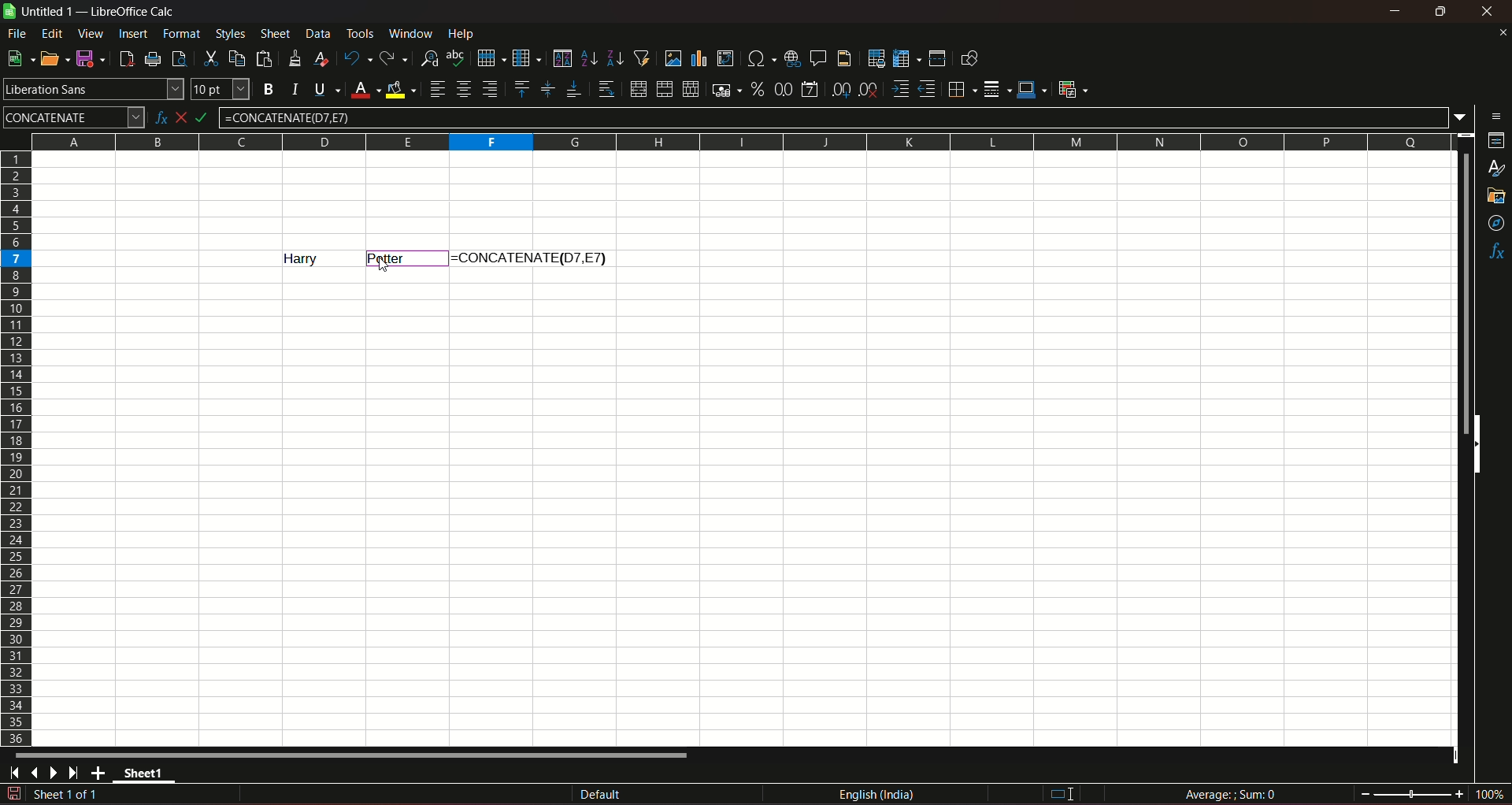 This screenshot has width=1512, height=805. Describe the element at coordinates (937, 58) in the screenshot. I see `split window` at that location.